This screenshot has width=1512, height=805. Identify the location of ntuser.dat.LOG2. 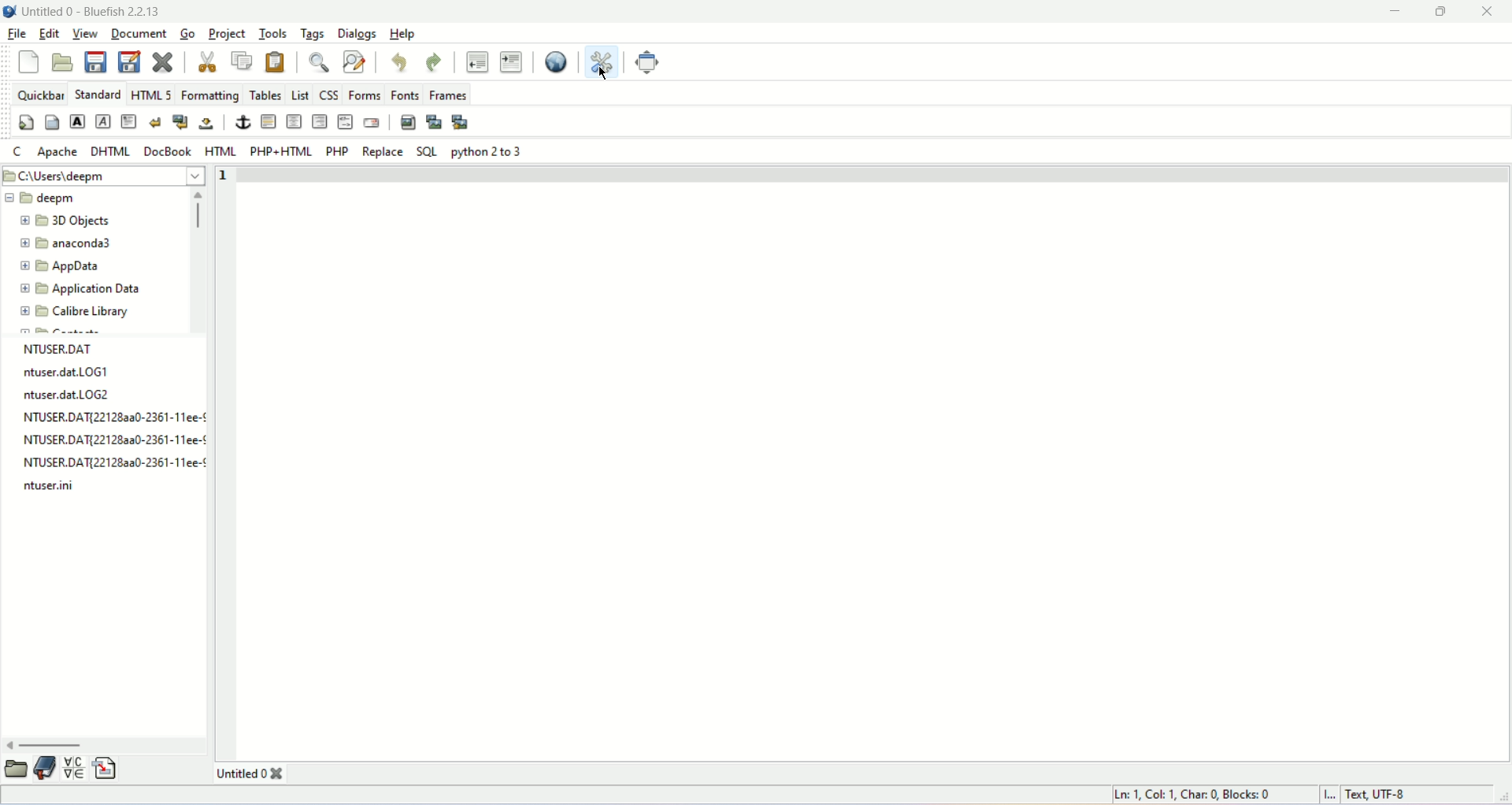
(61, 395).